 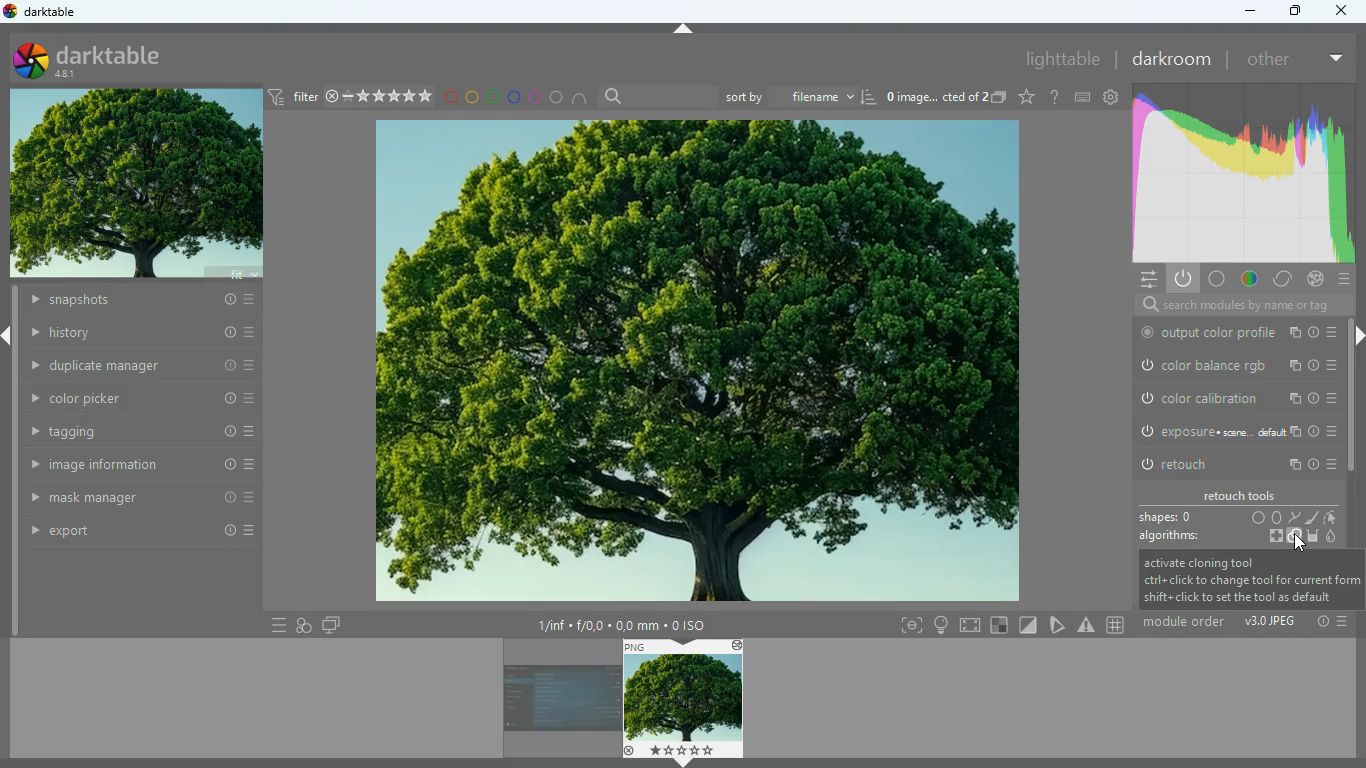 What do you see at coordinates (1118, 625) in the screenshot?
I see `#` at bounding box center [1118, 625].